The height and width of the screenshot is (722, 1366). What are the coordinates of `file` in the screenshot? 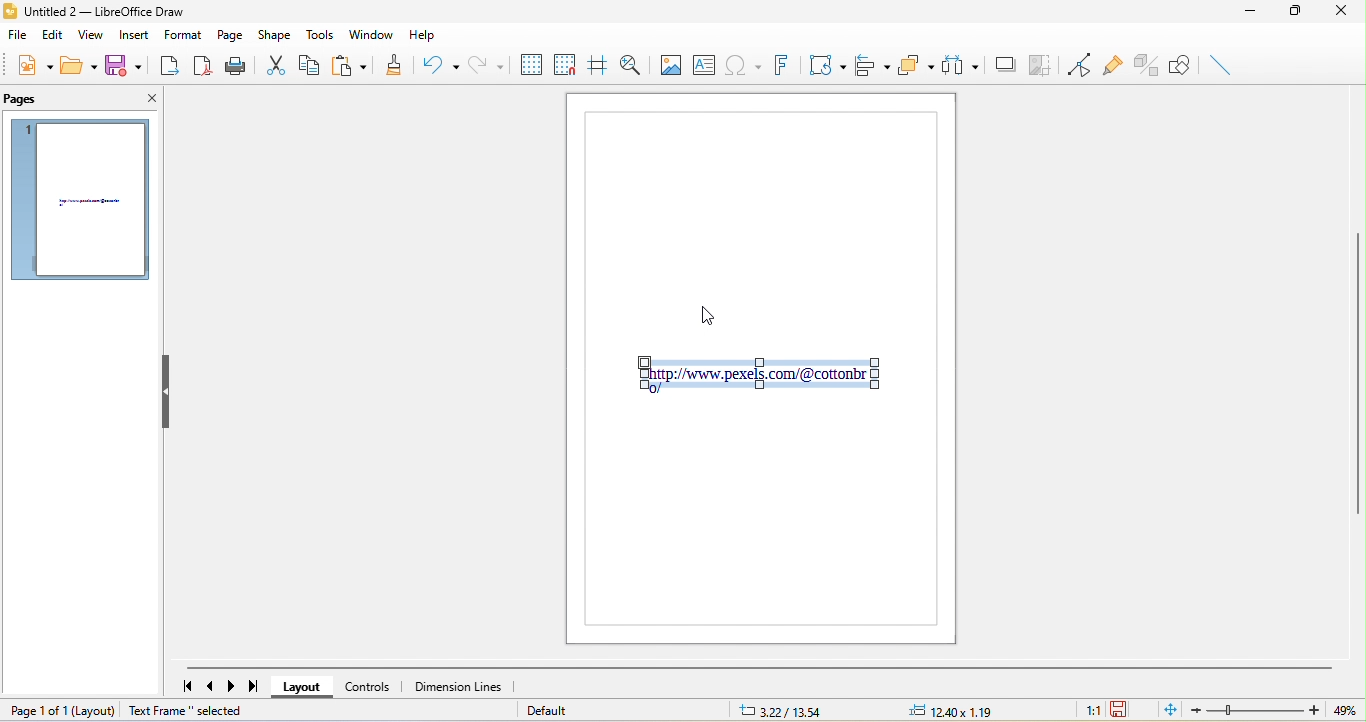 It's located at (15, 35).